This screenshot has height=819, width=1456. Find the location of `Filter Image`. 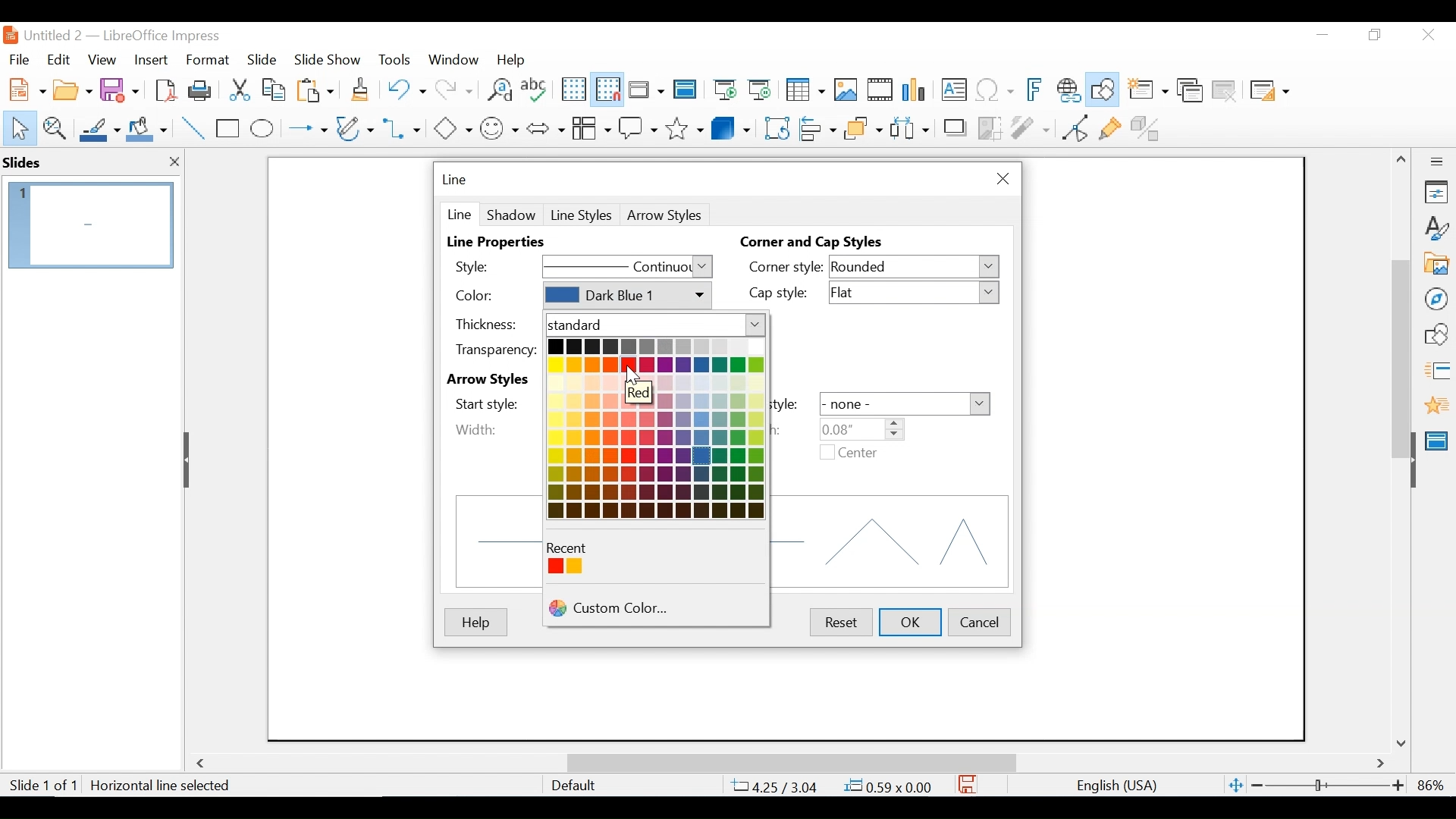

Filter Image is located at coordinates (1030, 127).